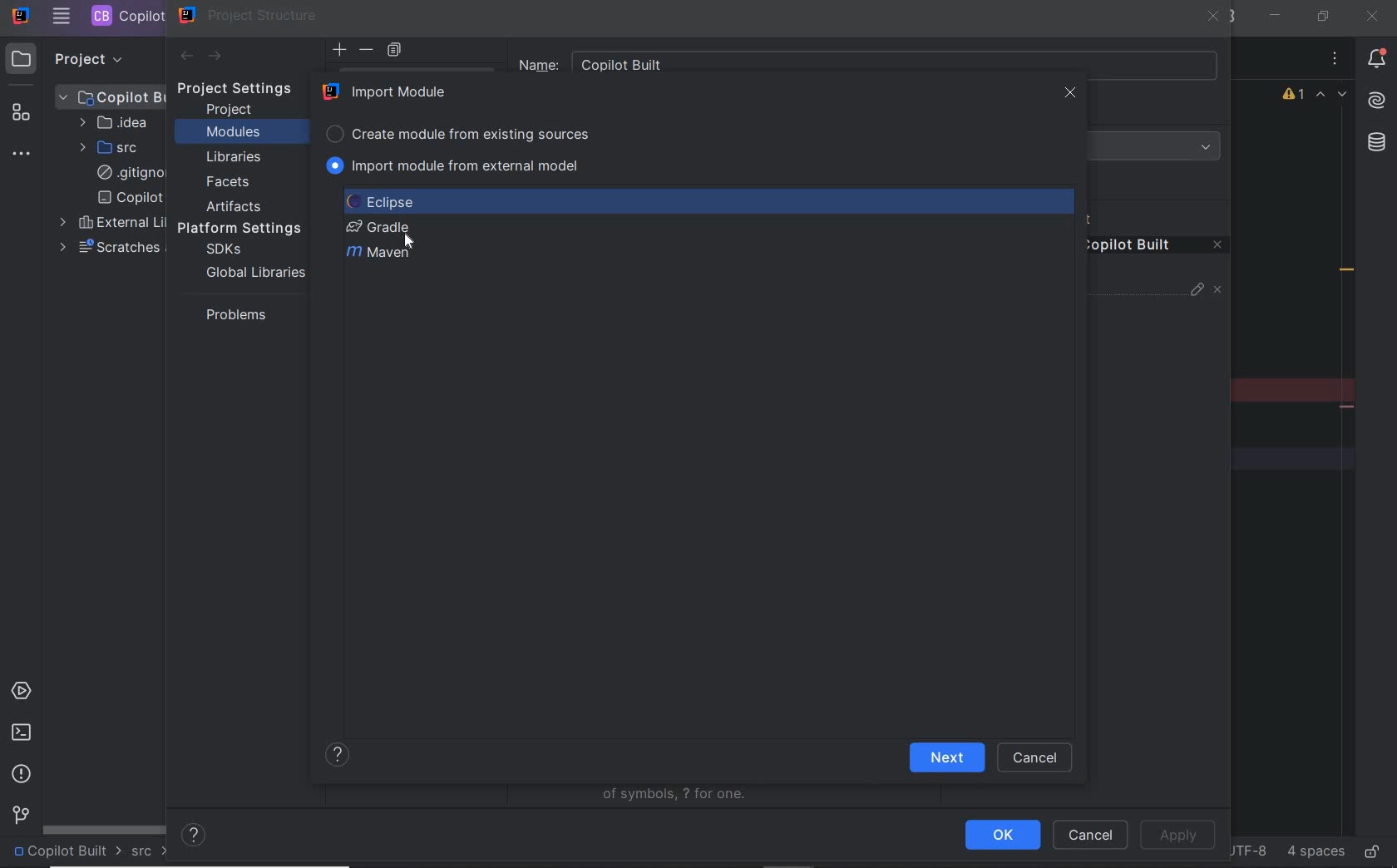  Describe the element at coordinates (1371, 851) in the screenshot. I see `make file ready only` at that location.